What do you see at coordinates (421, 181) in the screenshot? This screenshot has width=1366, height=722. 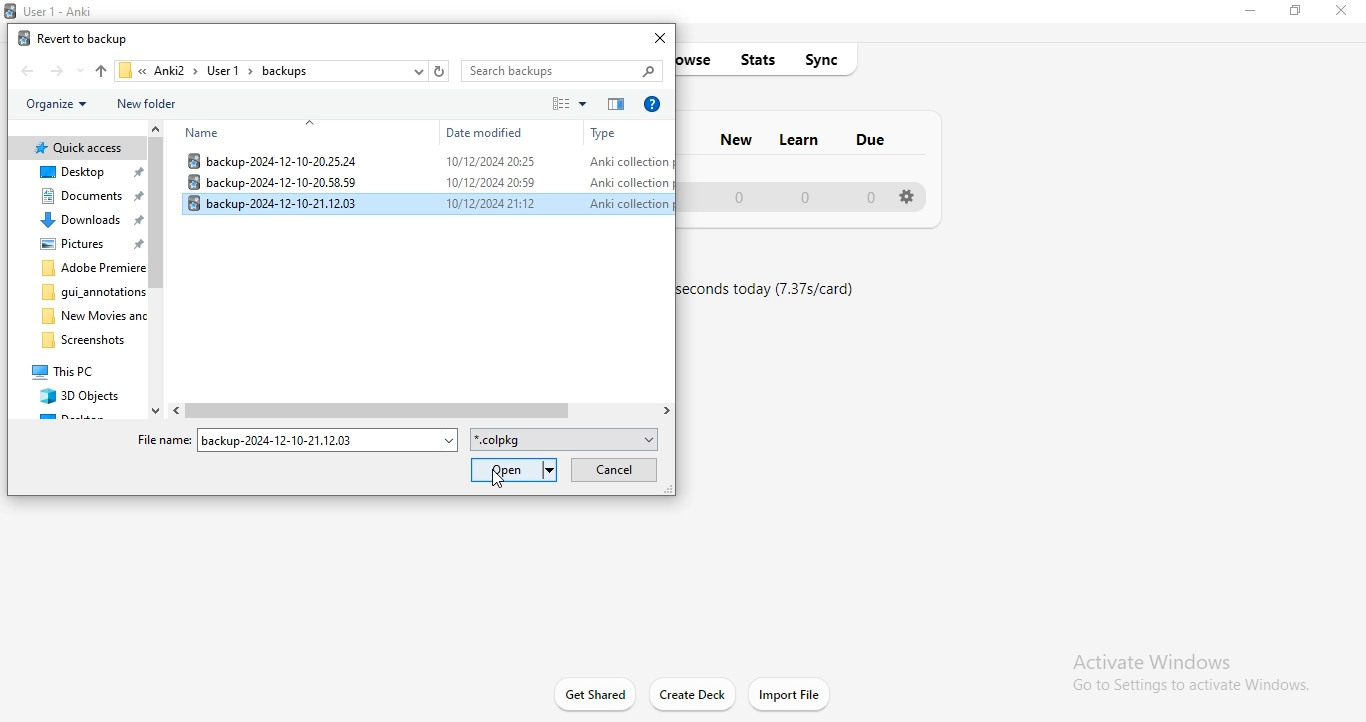 I see `file 2` at bounding box center [421, 181].